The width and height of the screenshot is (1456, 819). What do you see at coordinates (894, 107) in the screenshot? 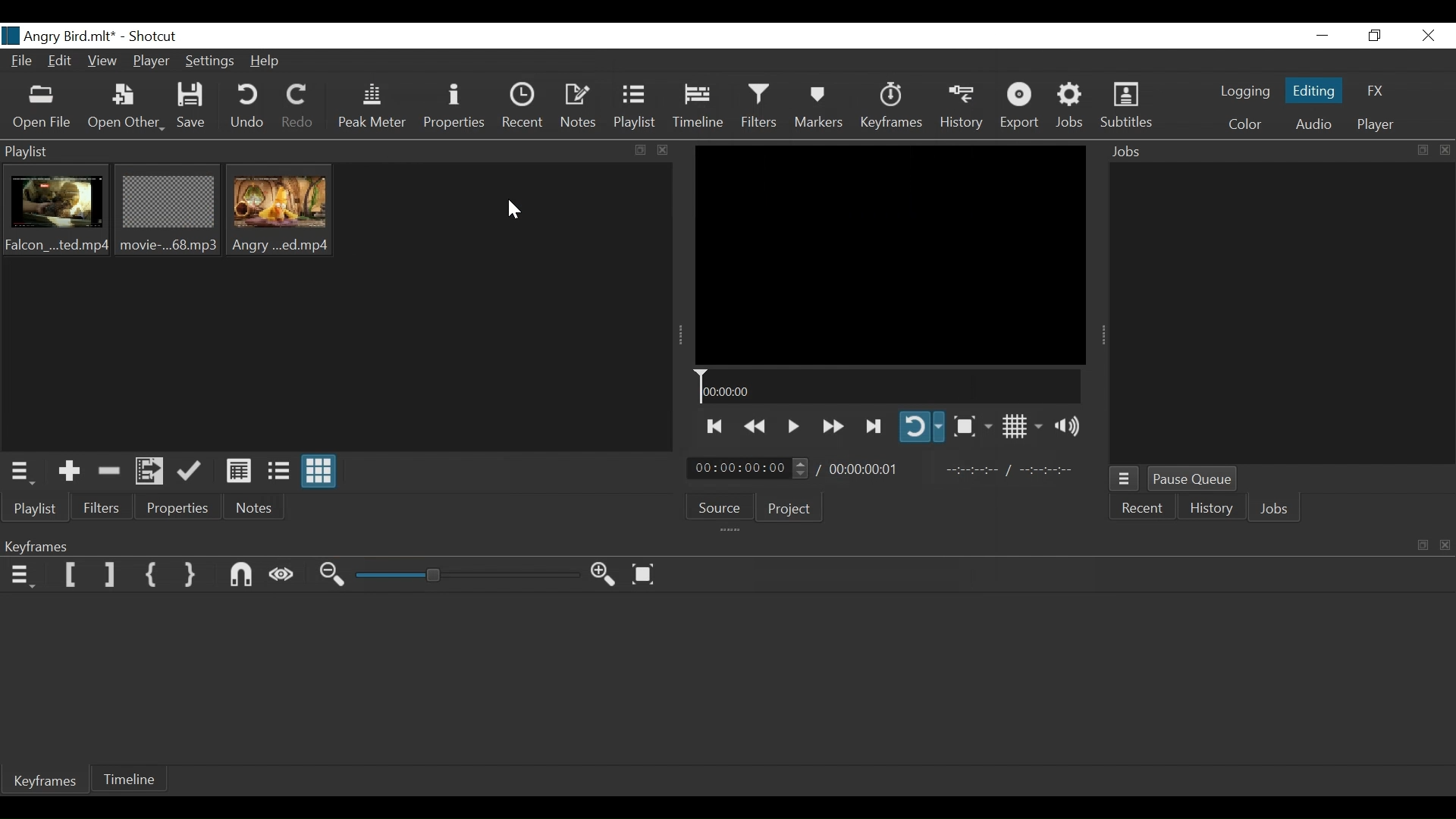
I see `Keyframes` at bounding box center [894, 107].